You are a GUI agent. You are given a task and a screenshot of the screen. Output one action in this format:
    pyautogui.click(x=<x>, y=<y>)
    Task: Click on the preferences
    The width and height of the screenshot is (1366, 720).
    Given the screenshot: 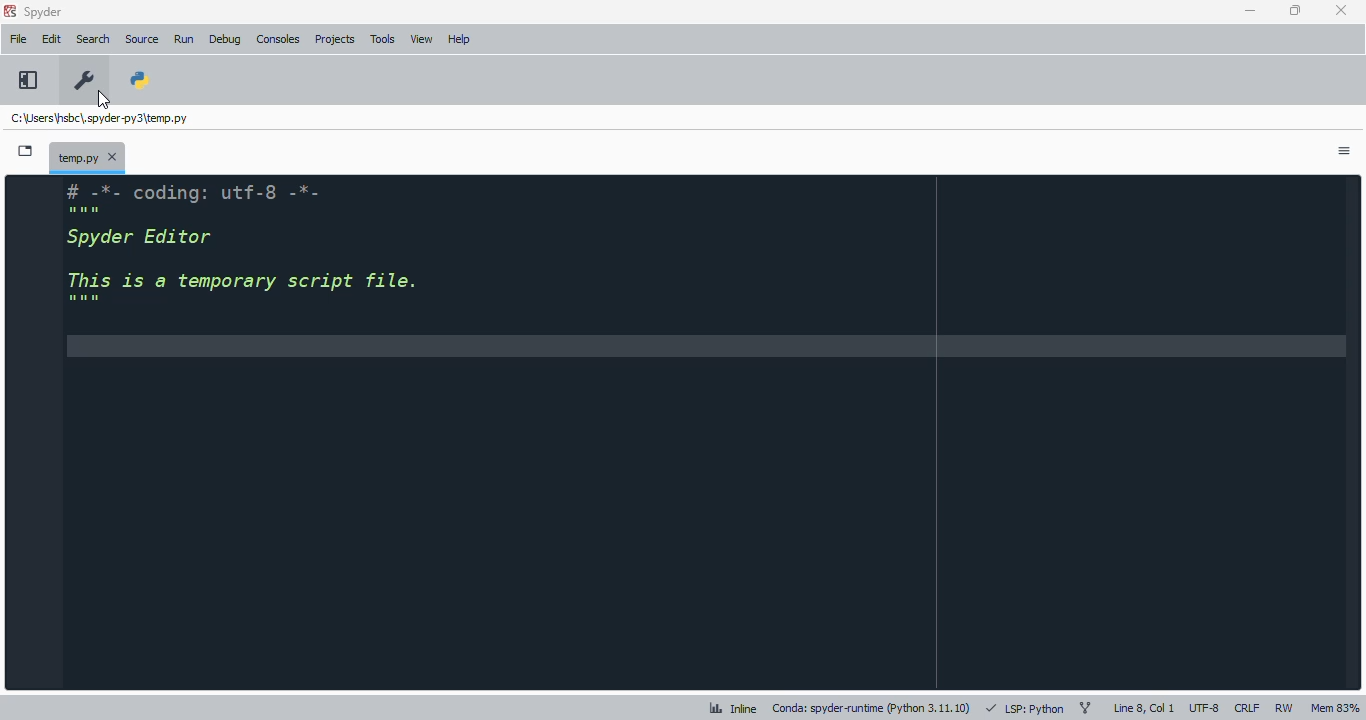 What is the action you would take?
    pyautogui.click(x=83, y=80)
    